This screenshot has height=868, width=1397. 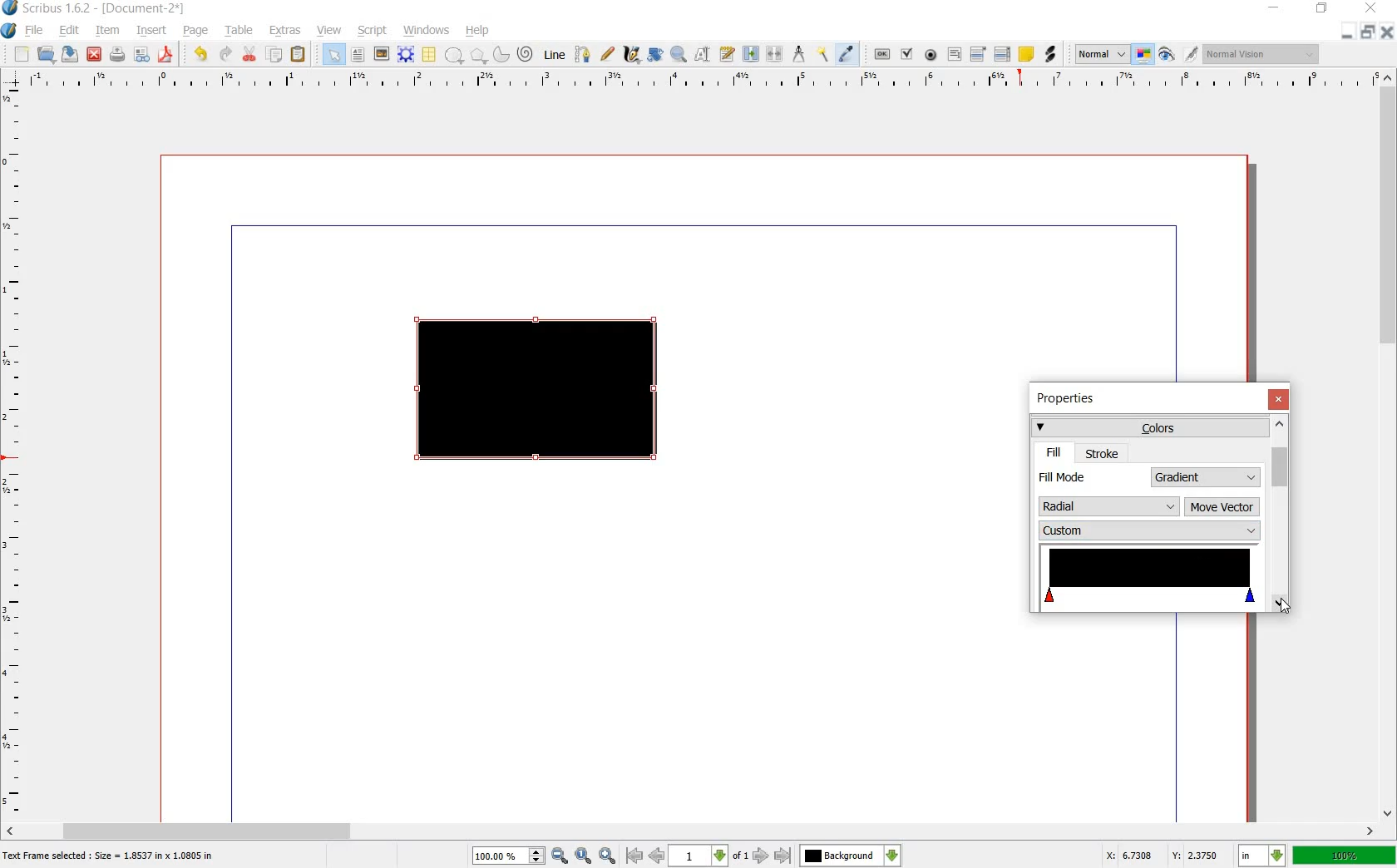 I want to click on open, so click(x=48, y=55).